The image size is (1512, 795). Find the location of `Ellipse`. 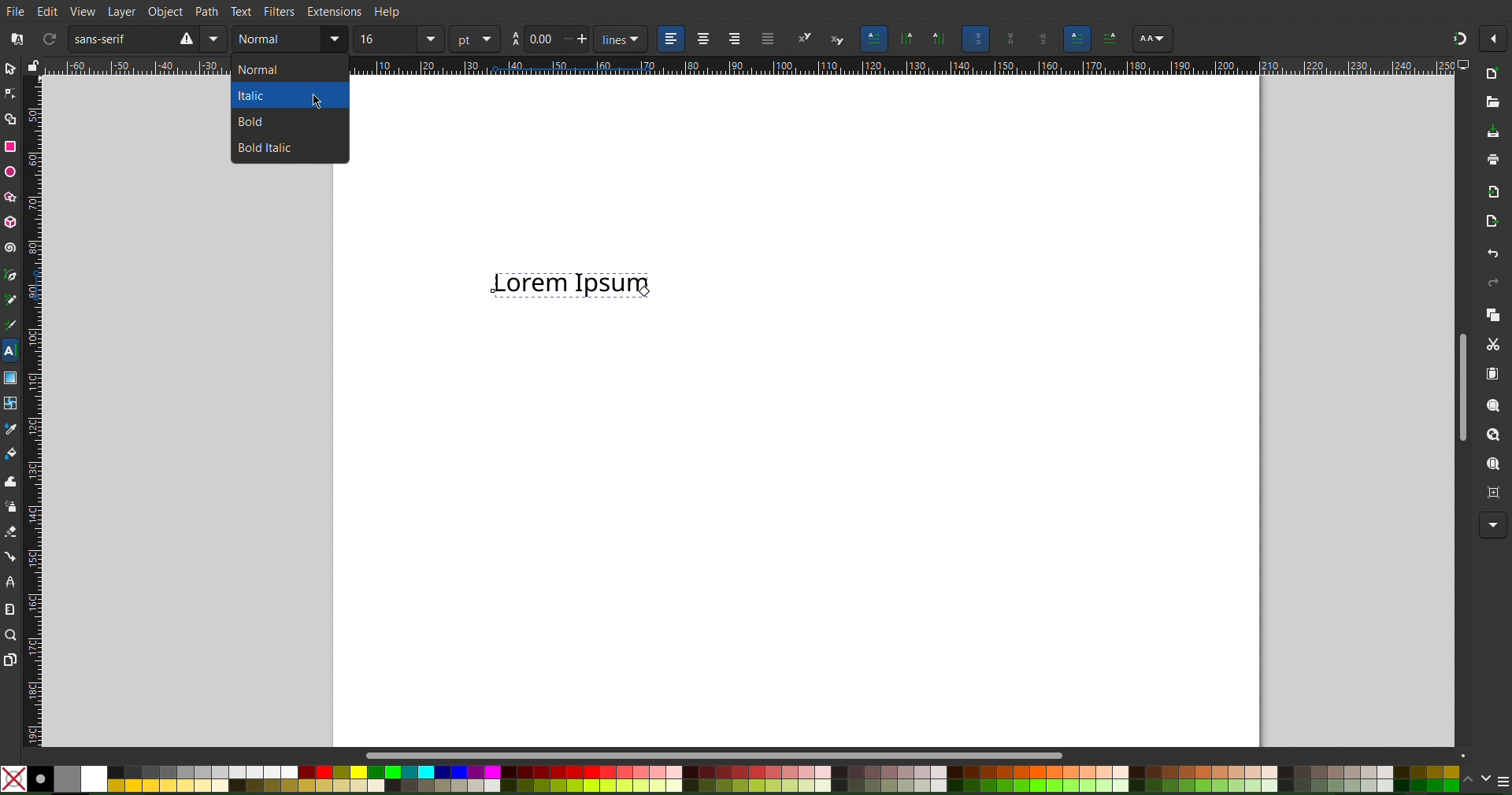

Ellipse is located at coordinates (10, 172).